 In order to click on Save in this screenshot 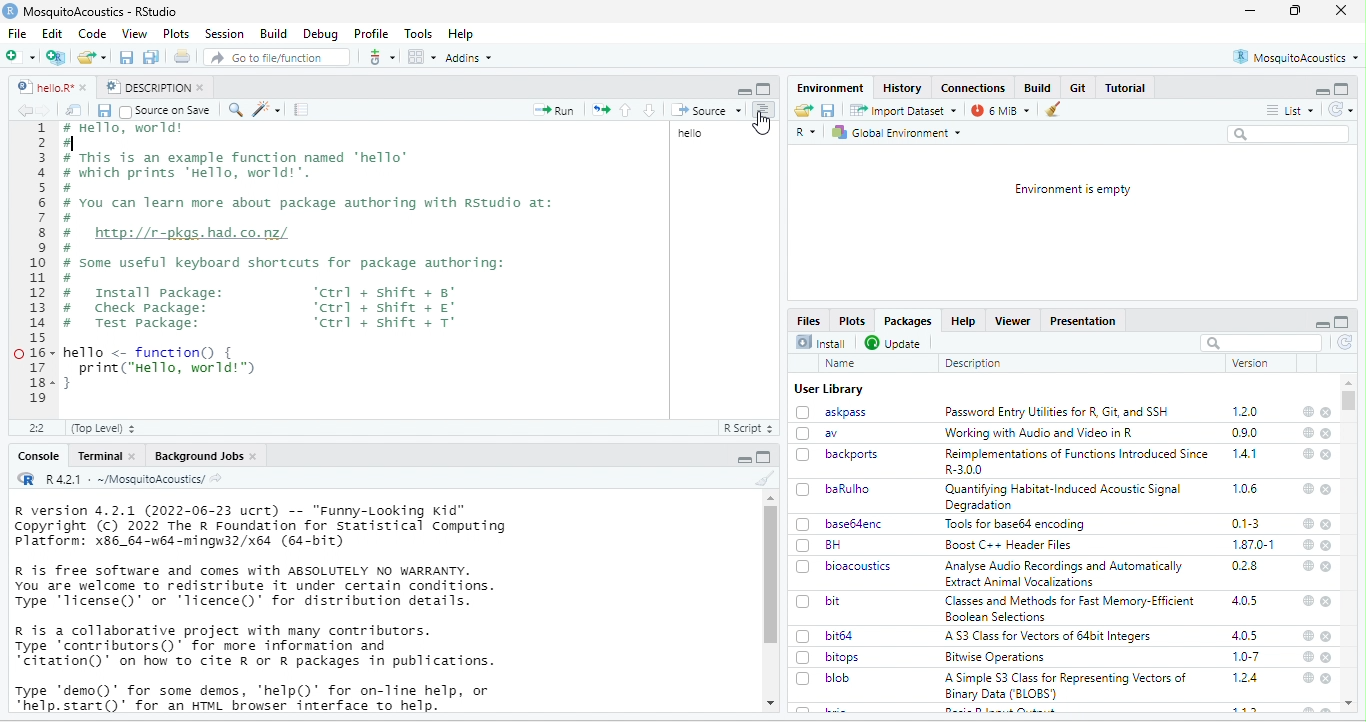, I will do `click(828, 110)`.